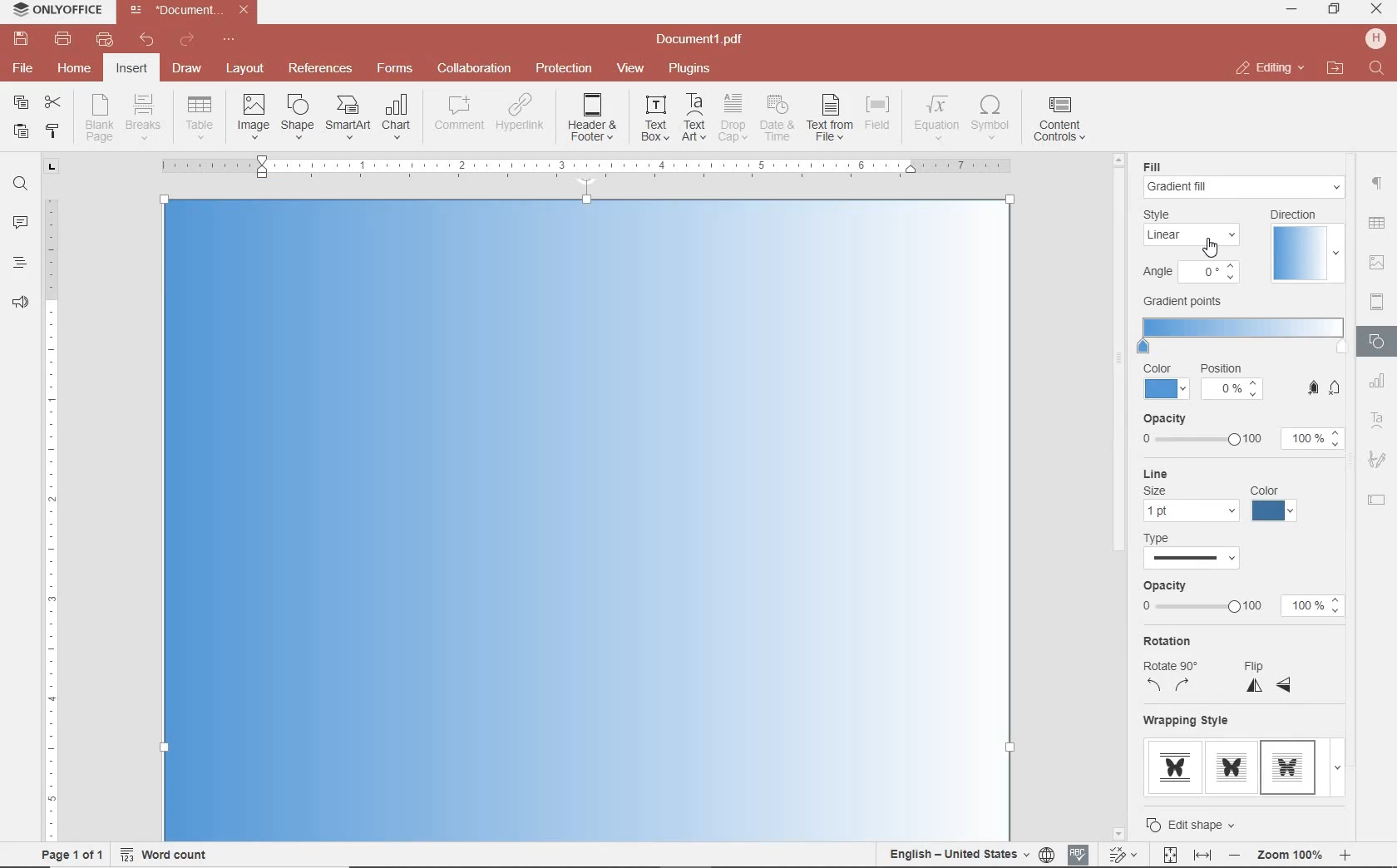 Image resolution: width=1397 pixels, height=868 pixels. Describe the element at coordinates (248, 70) in the screenshot. I see `layout` at that location.